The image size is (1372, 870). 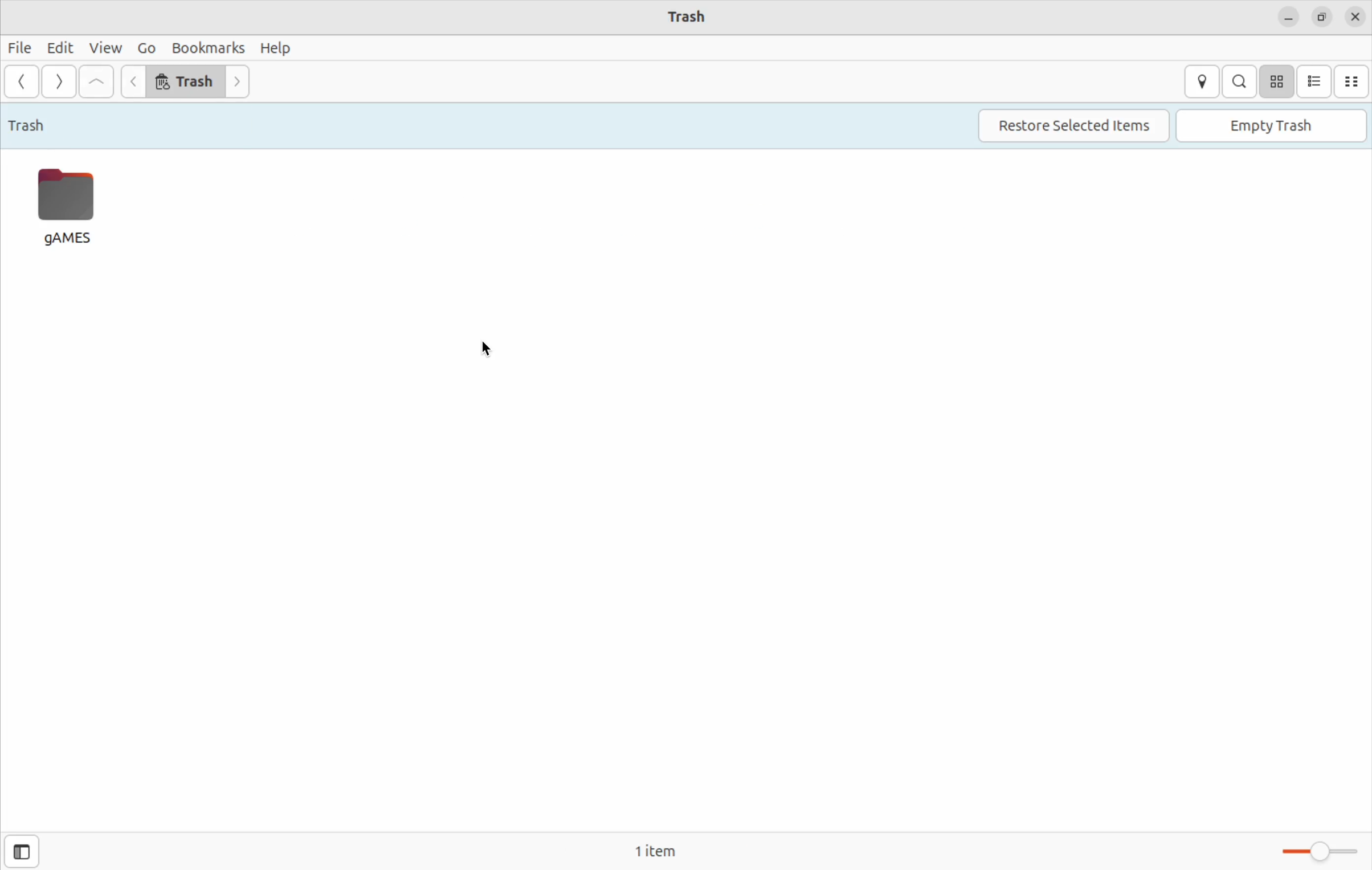 What do you see at coordinates (59, 81) in the screenshot?
I see `Go next` at bounding box center [59, 81].